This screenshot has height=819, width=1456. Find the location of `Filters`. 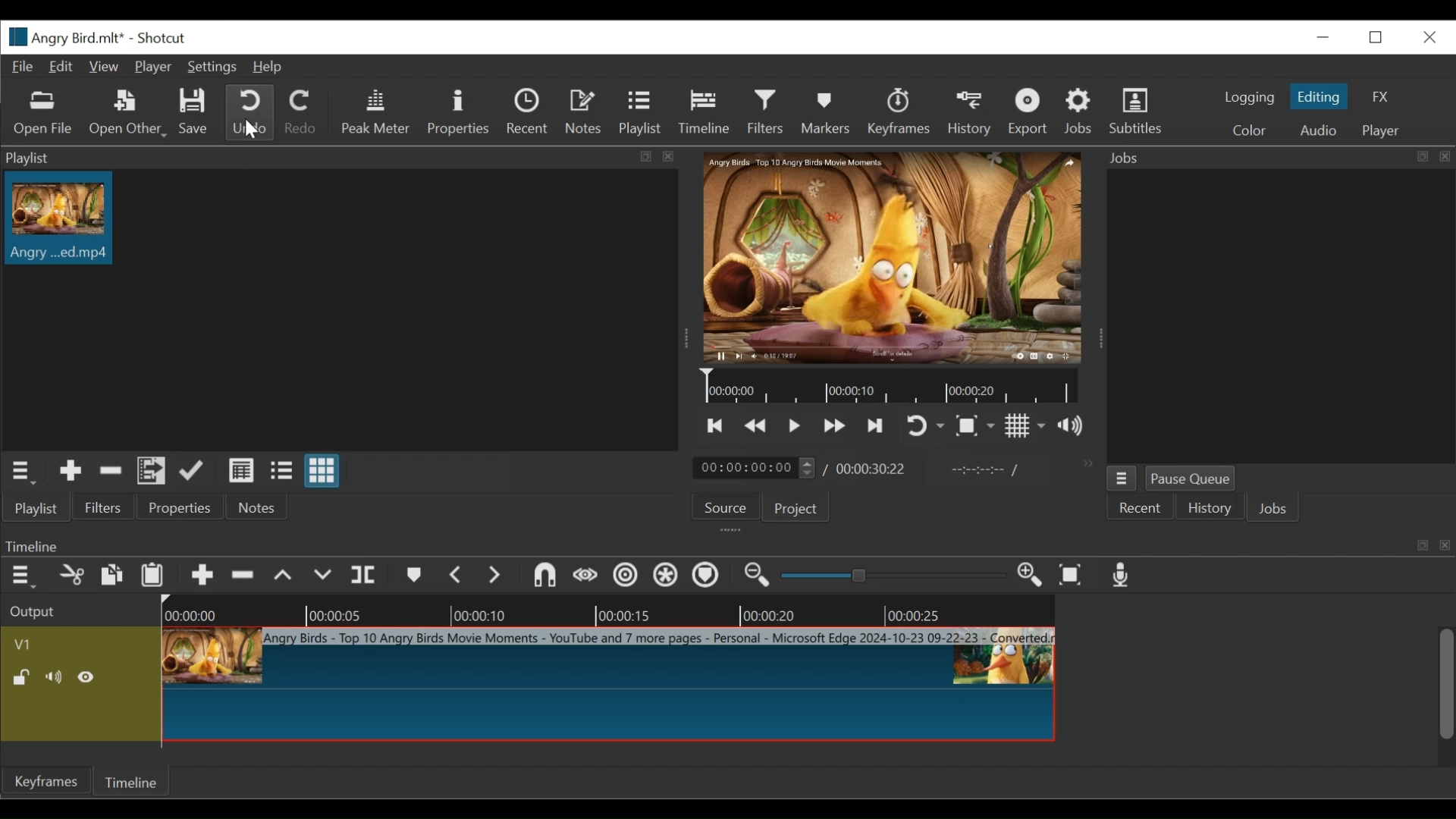

Filters is located at coordinates (102, 507).